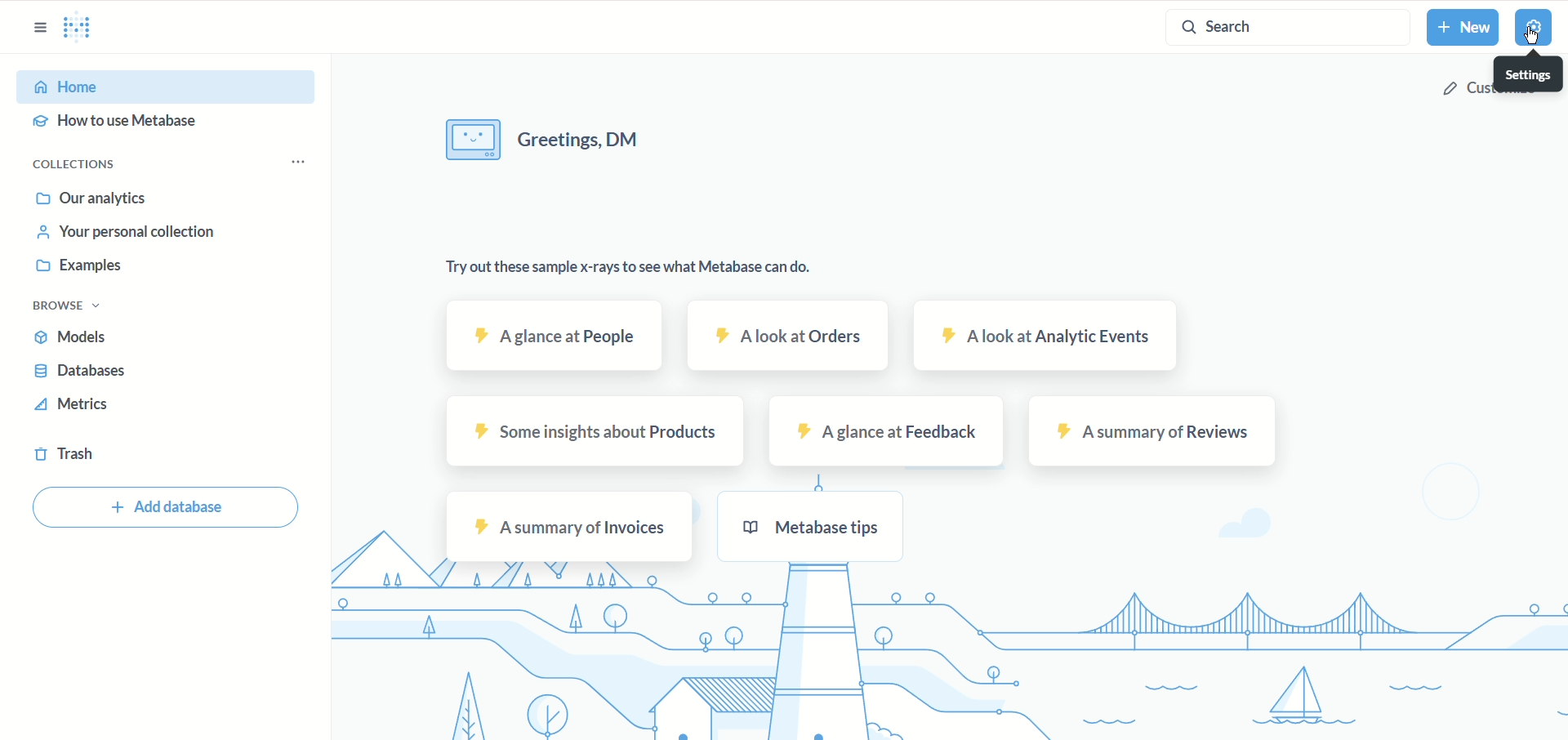  I want to click on a summary of Invoices, so click(570, 528).